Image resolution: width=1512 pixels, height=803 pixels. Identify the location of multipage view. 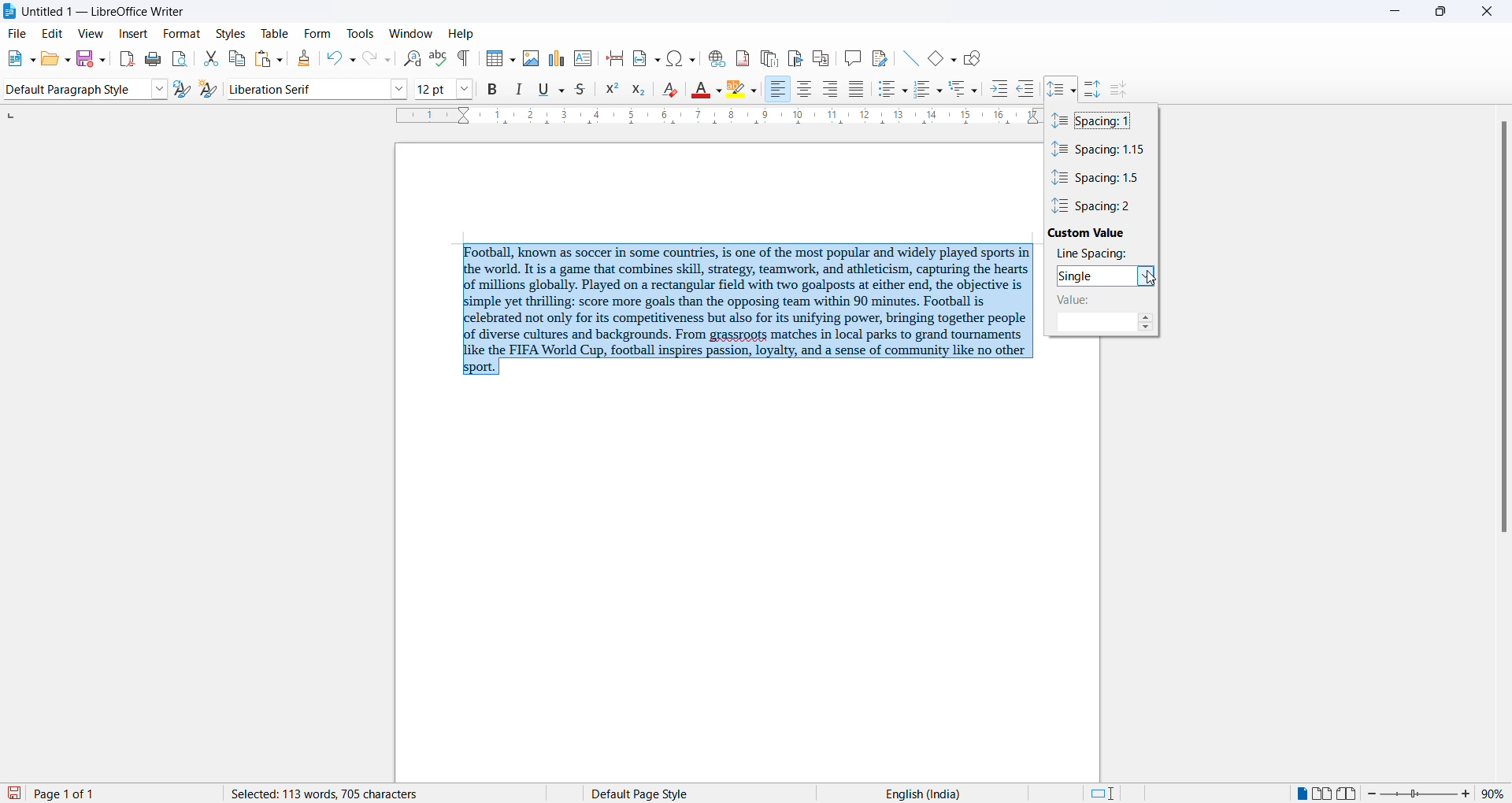
(1325, 795).